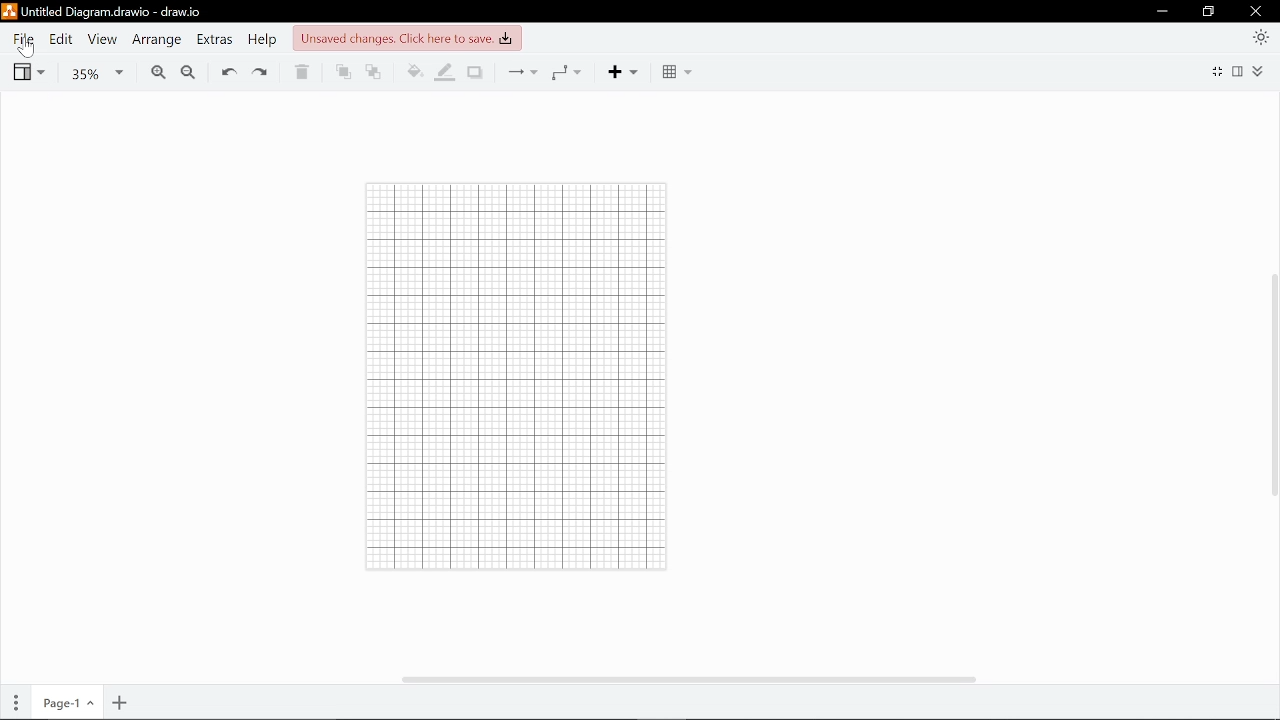 This screenshot has width=1280, height=720. Describe the element at coordinates (1258, 37) in the screenshot. I see `Appearence` at that location.